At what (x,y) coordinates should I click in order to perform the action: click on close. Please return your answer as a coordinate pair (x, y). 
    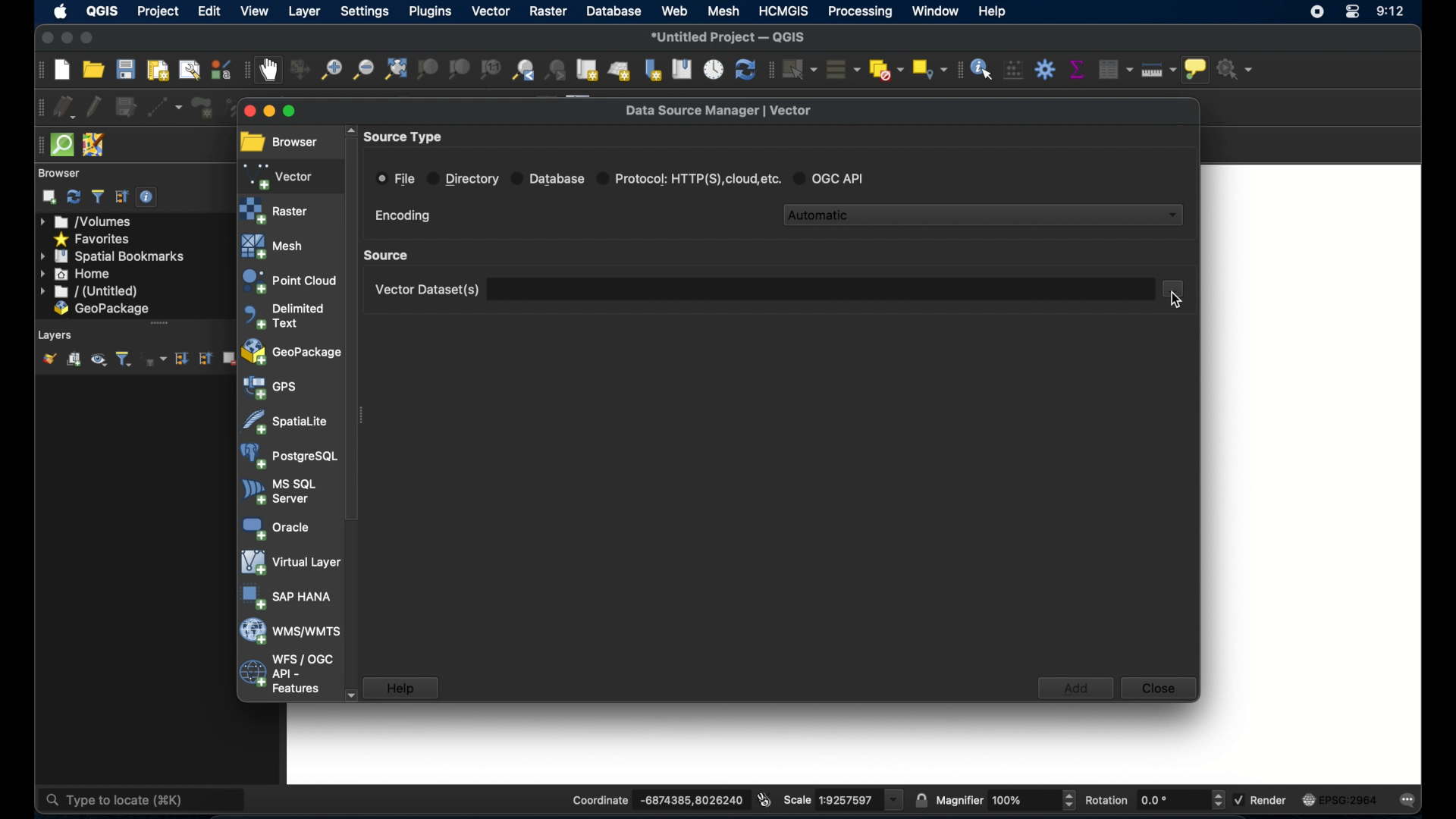
    Looking at the image, I should click on (246, 111).